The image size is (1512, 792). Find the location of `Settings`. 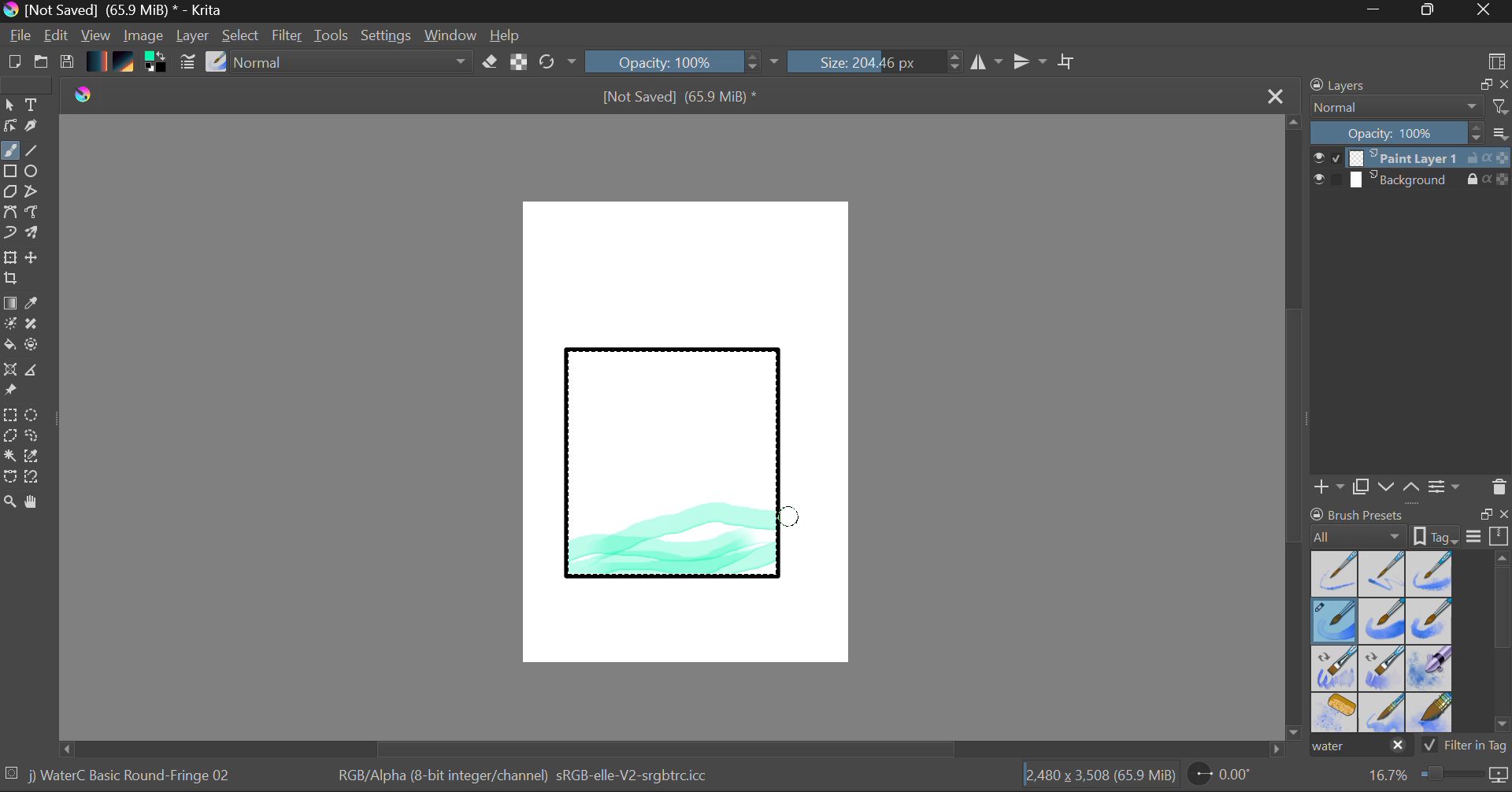

Settings is located at coordinates (387, 35).